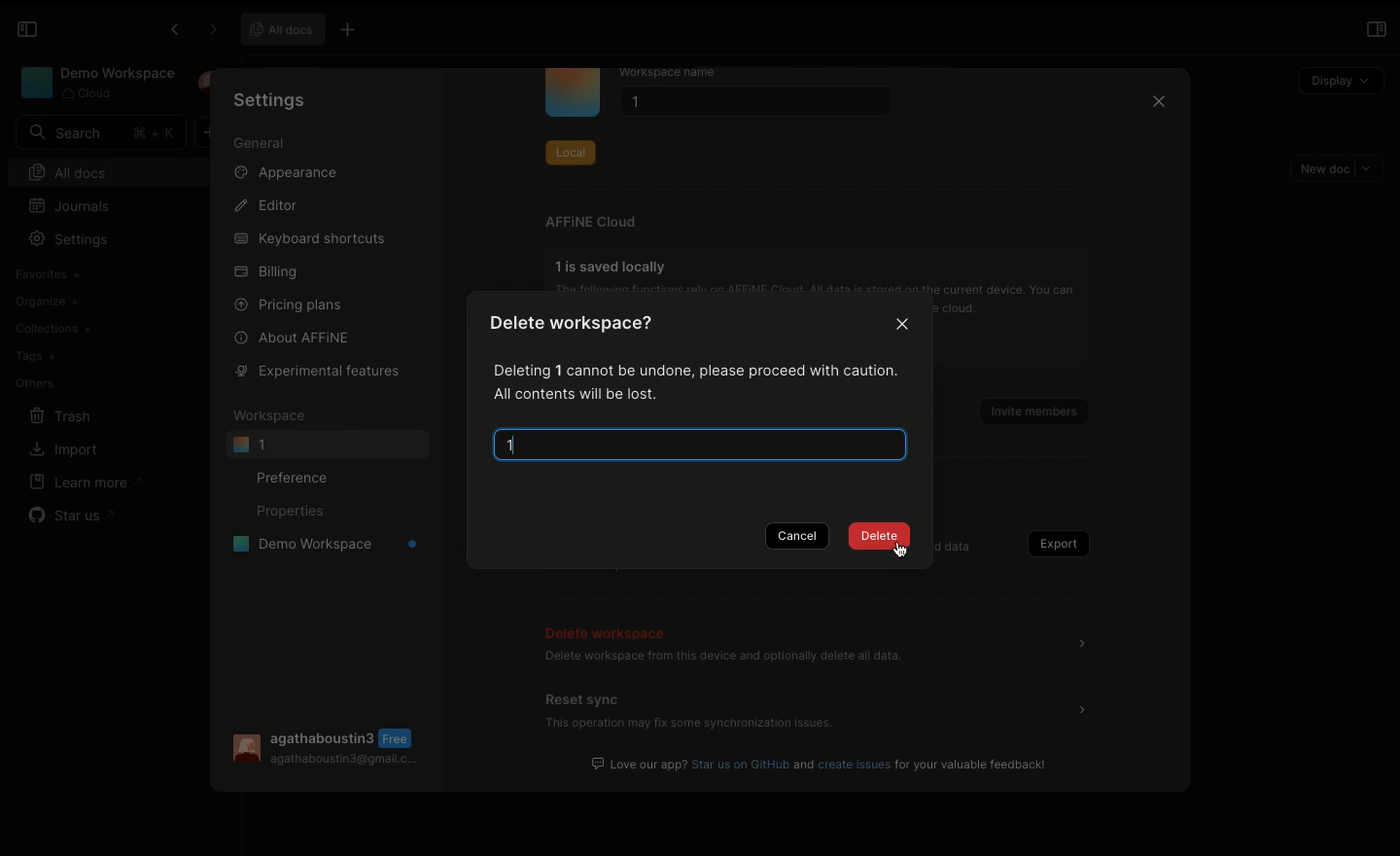 Image resolution: width=1400 pixels, height=856 pixels. I want to click on Cancel, so click(800, 537).